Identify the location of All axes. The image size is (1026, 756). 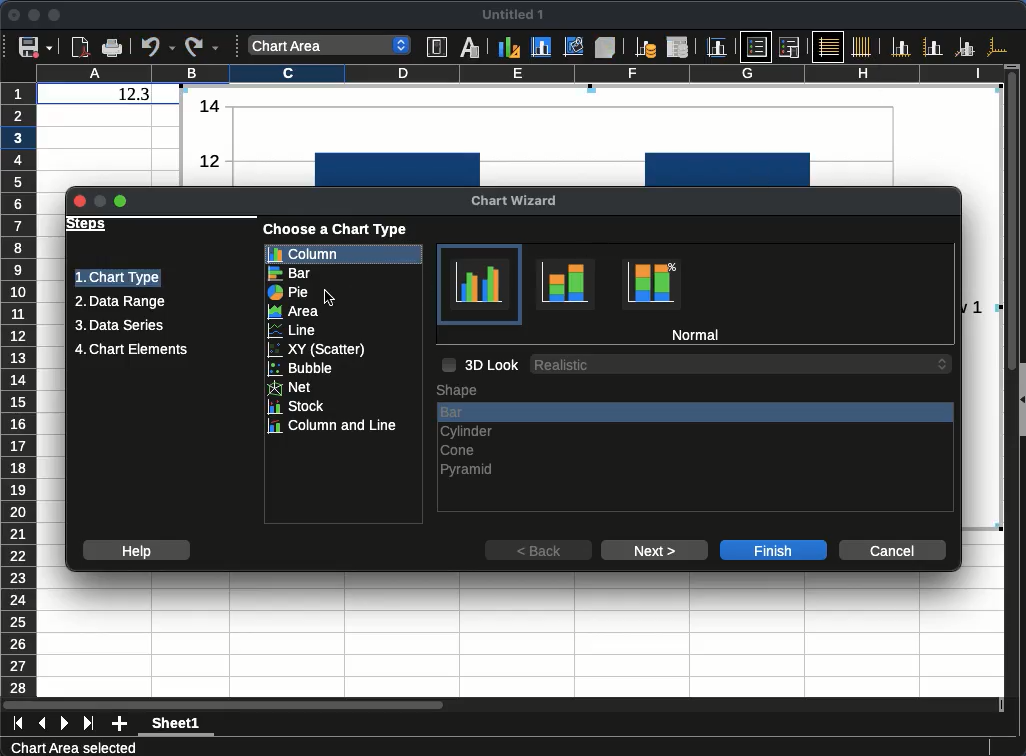
(997, 46).